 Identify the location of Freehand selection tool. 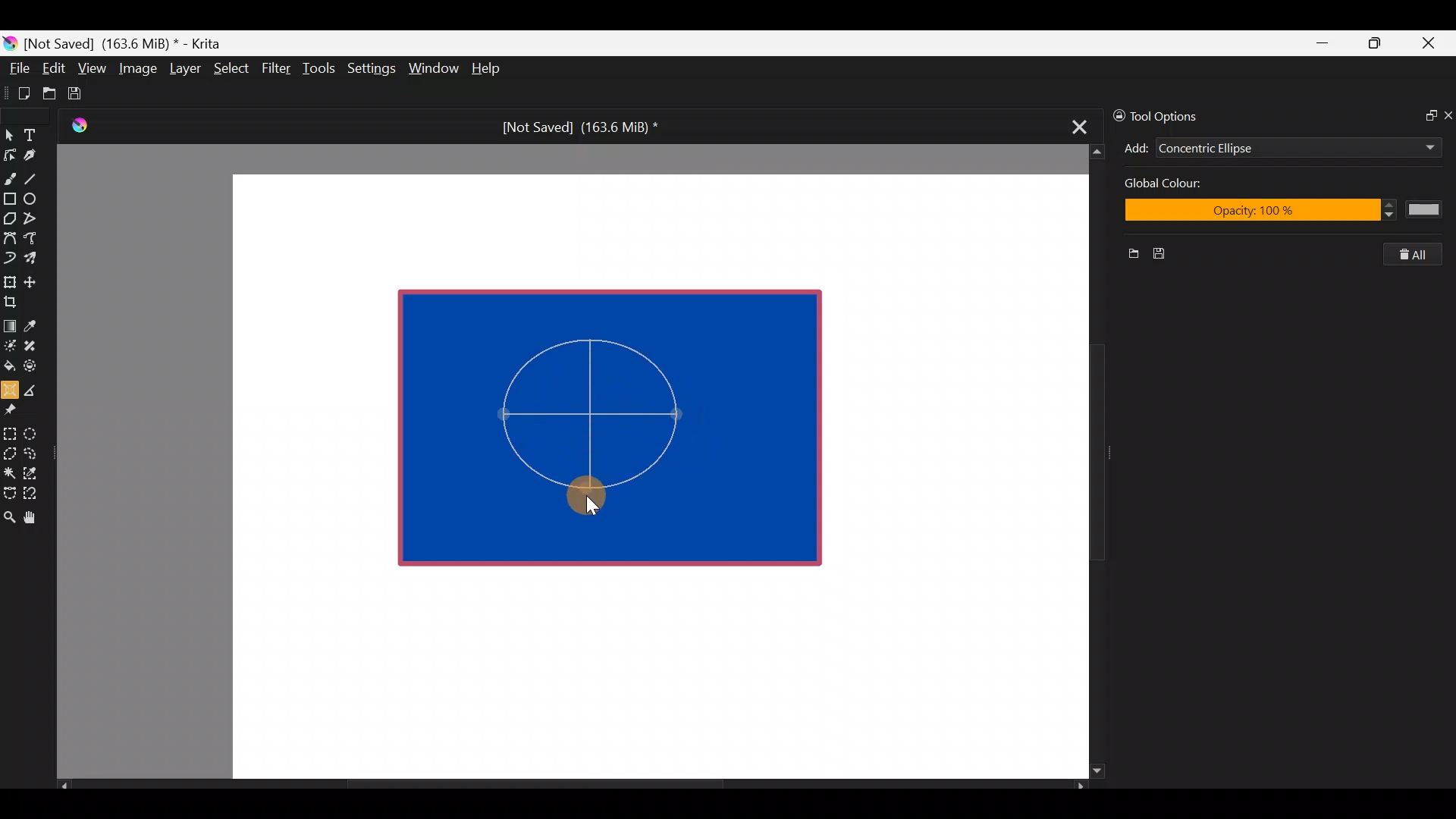
(33, 452).